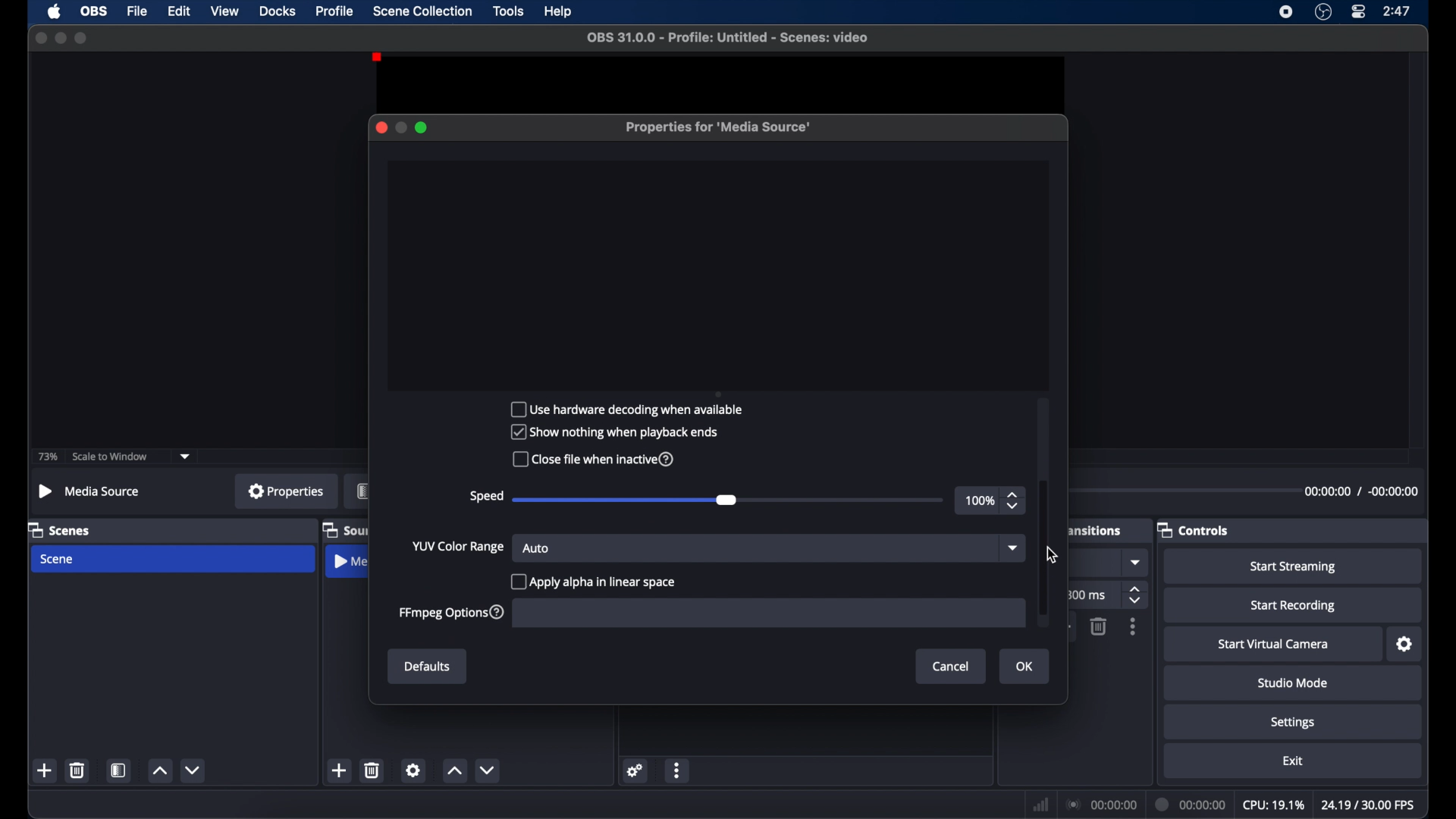  I want to click on view, so click(226, 11).